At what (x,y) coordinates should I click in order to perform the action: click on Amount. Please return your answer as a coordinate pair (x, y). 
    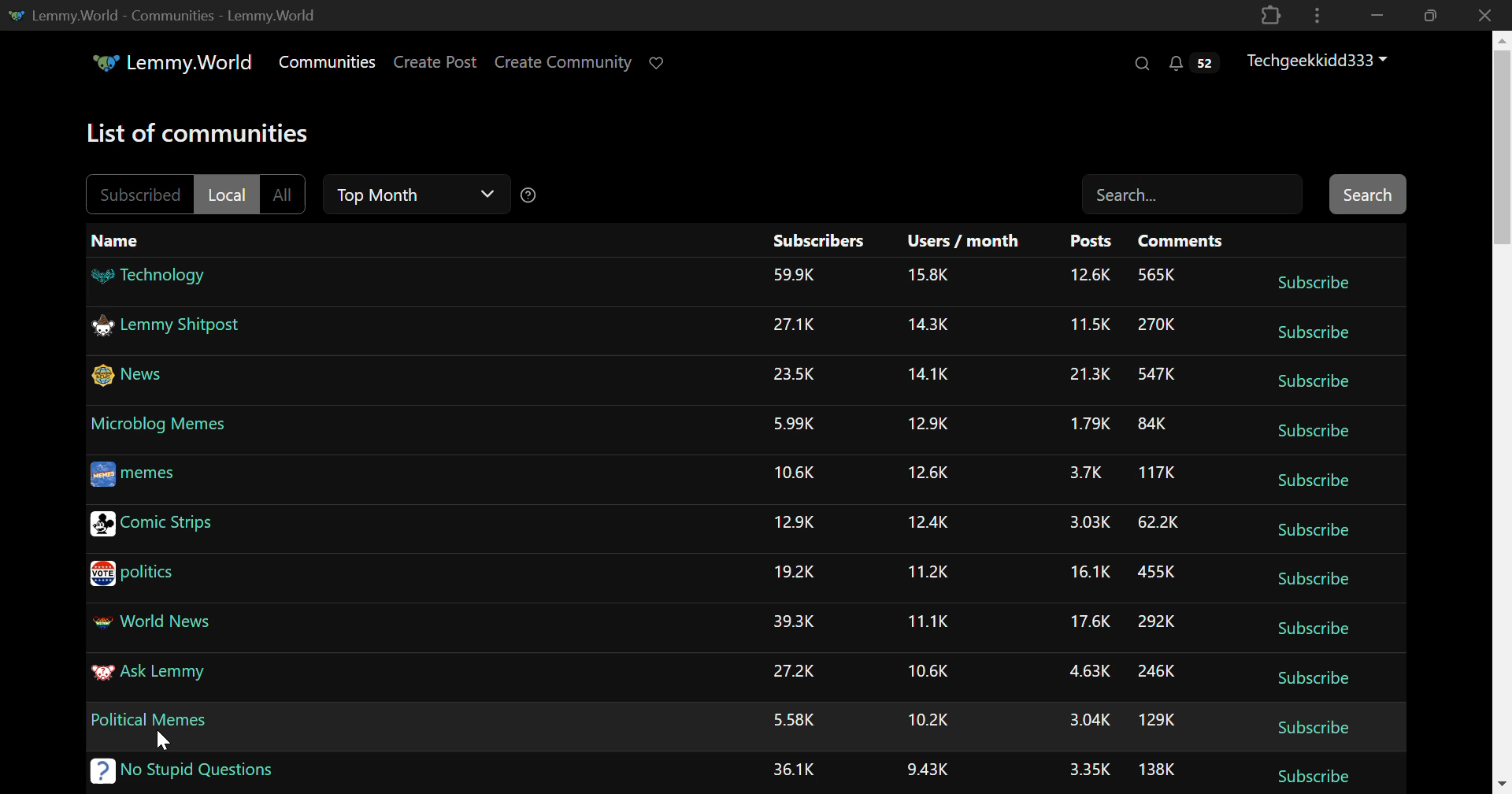
    Looking at the image, I should click on (926, 572).